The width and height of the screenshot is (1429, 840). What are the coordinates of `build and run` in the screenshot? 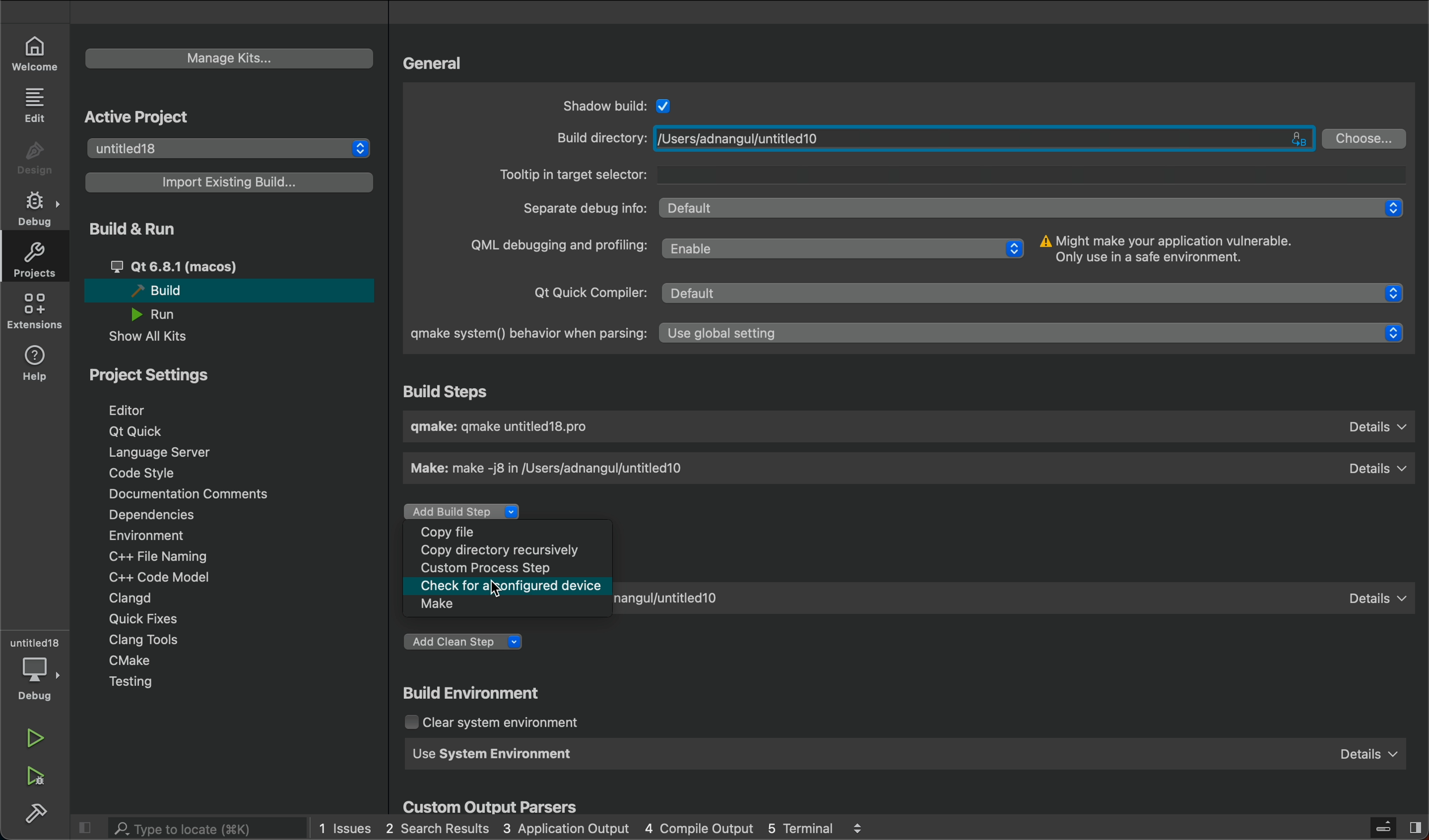 It's located at (147, 228).